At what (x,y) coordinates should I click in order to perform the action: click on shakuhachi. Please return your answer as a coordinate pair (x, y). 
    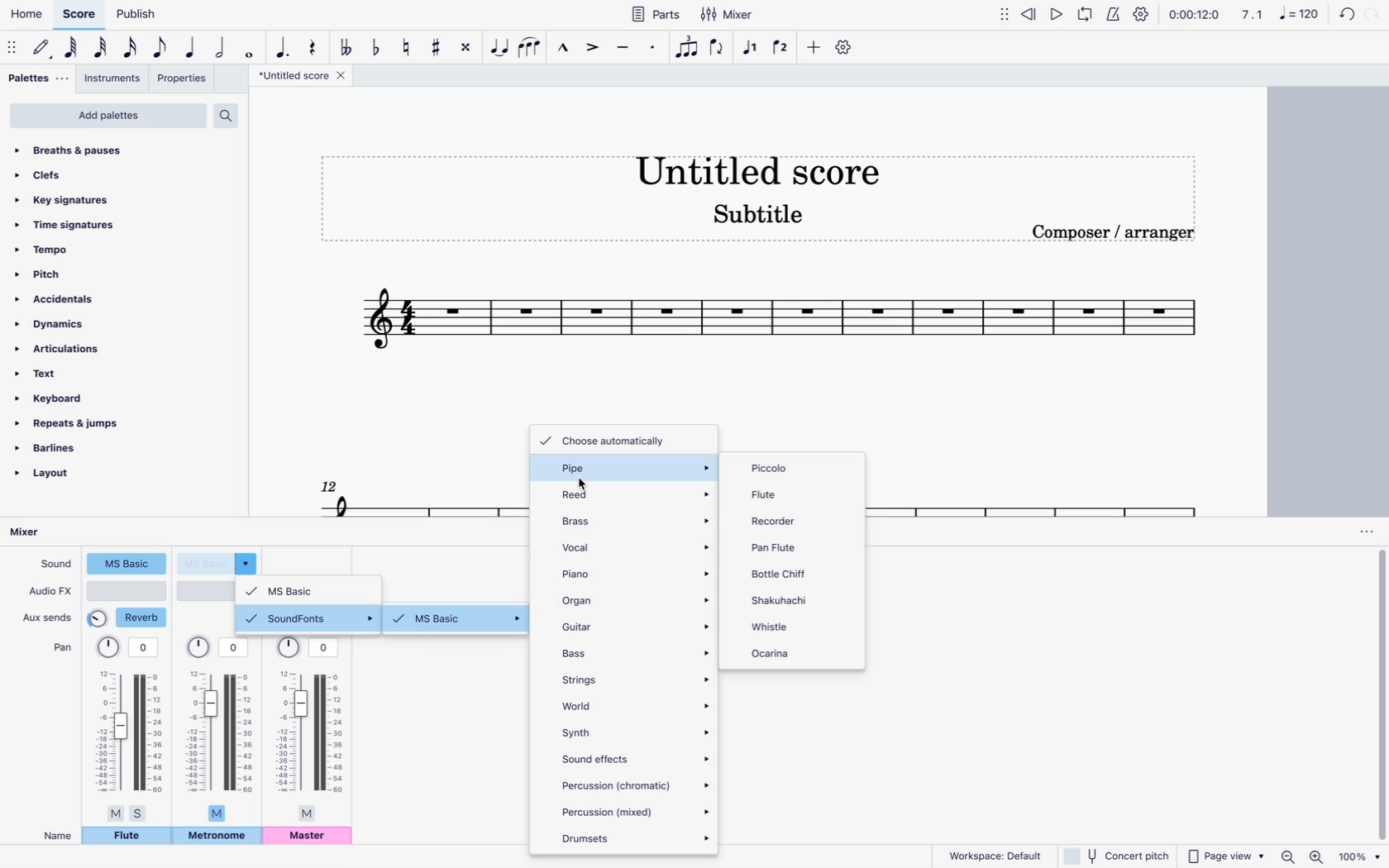
    Looking at the image, I should click on (795, 599).